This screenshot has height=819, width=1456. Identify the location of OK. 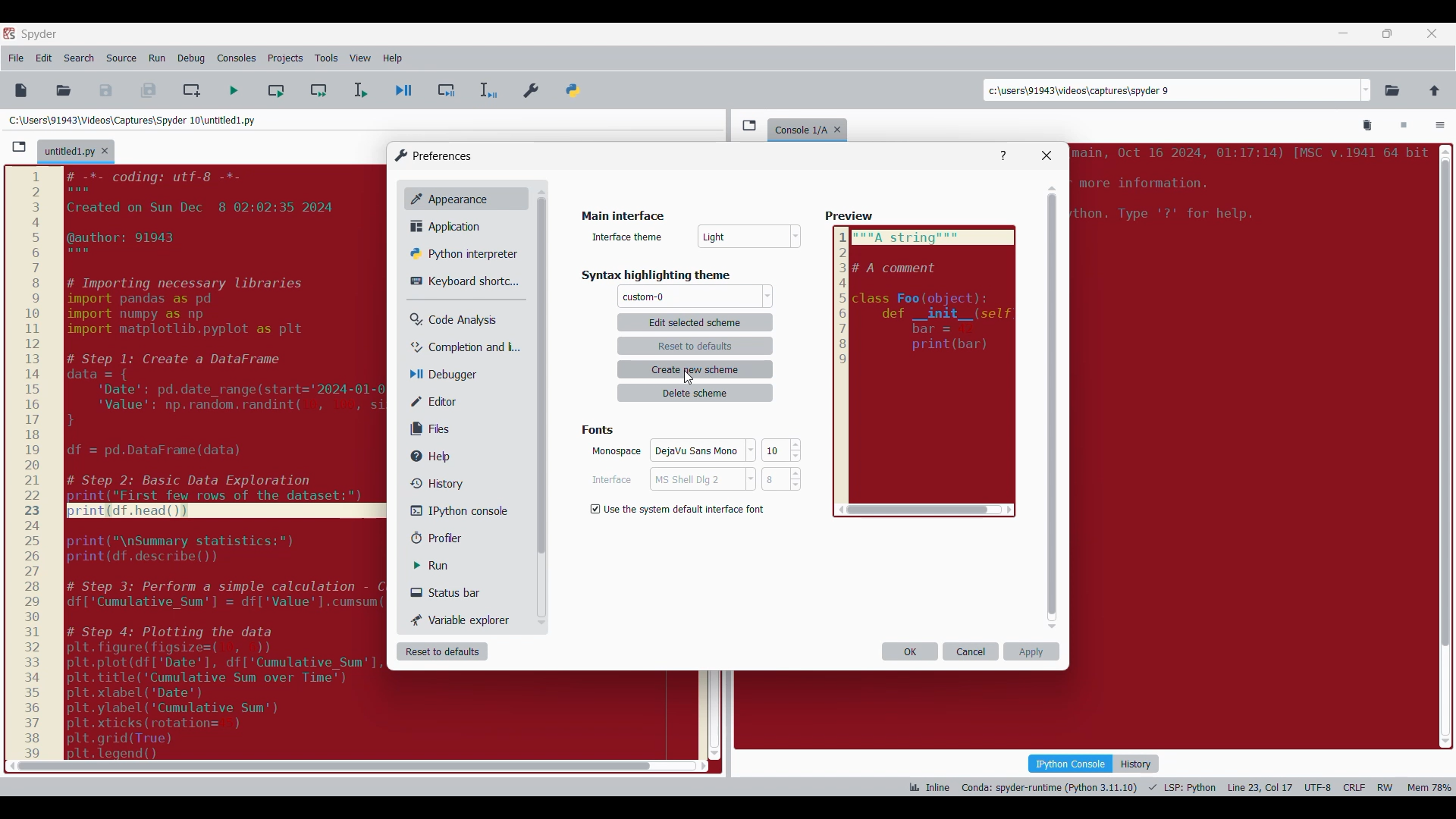
(910, 651).